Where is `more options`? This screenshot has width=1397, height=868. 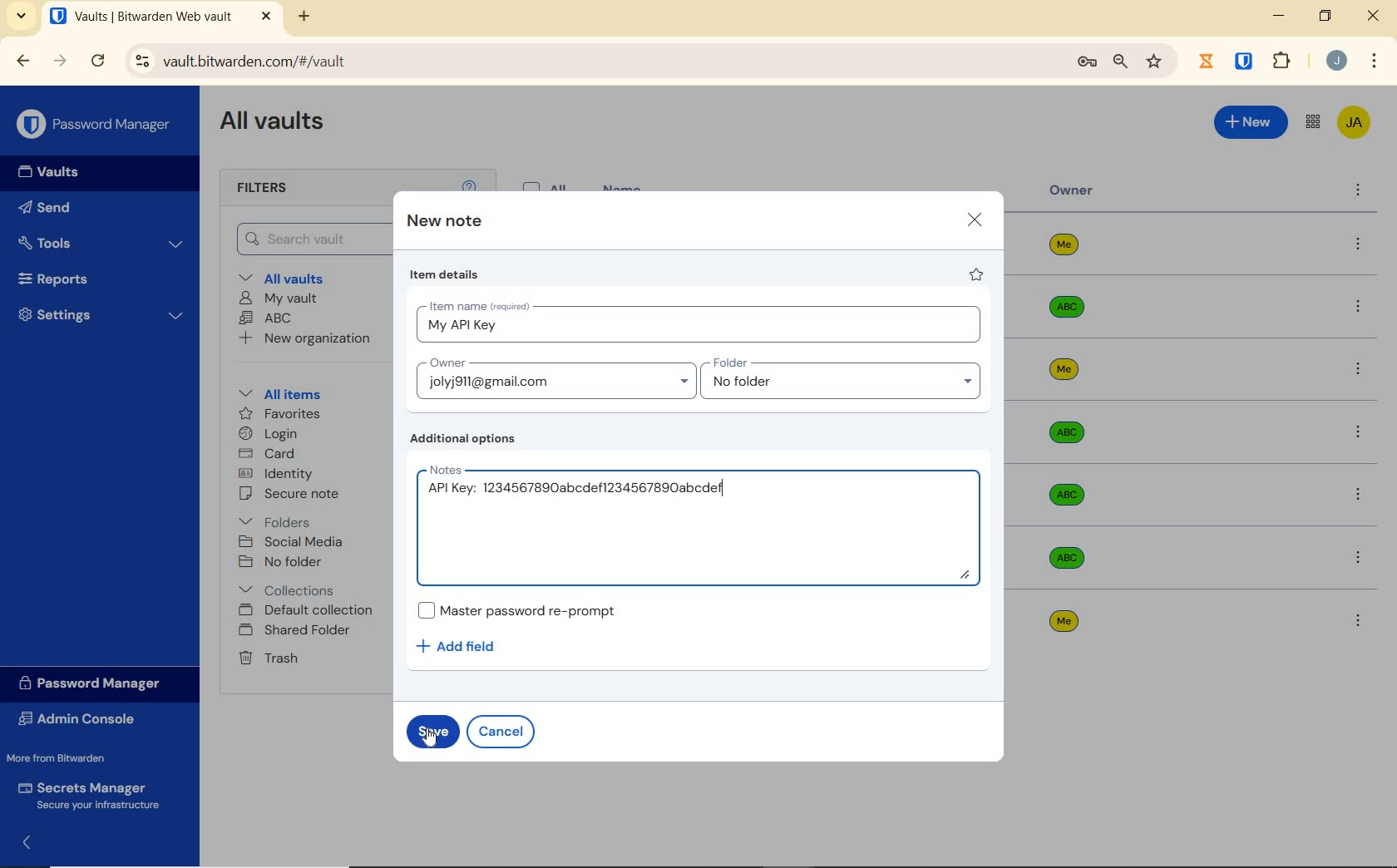
more options is located at coordinates (1358, 620).